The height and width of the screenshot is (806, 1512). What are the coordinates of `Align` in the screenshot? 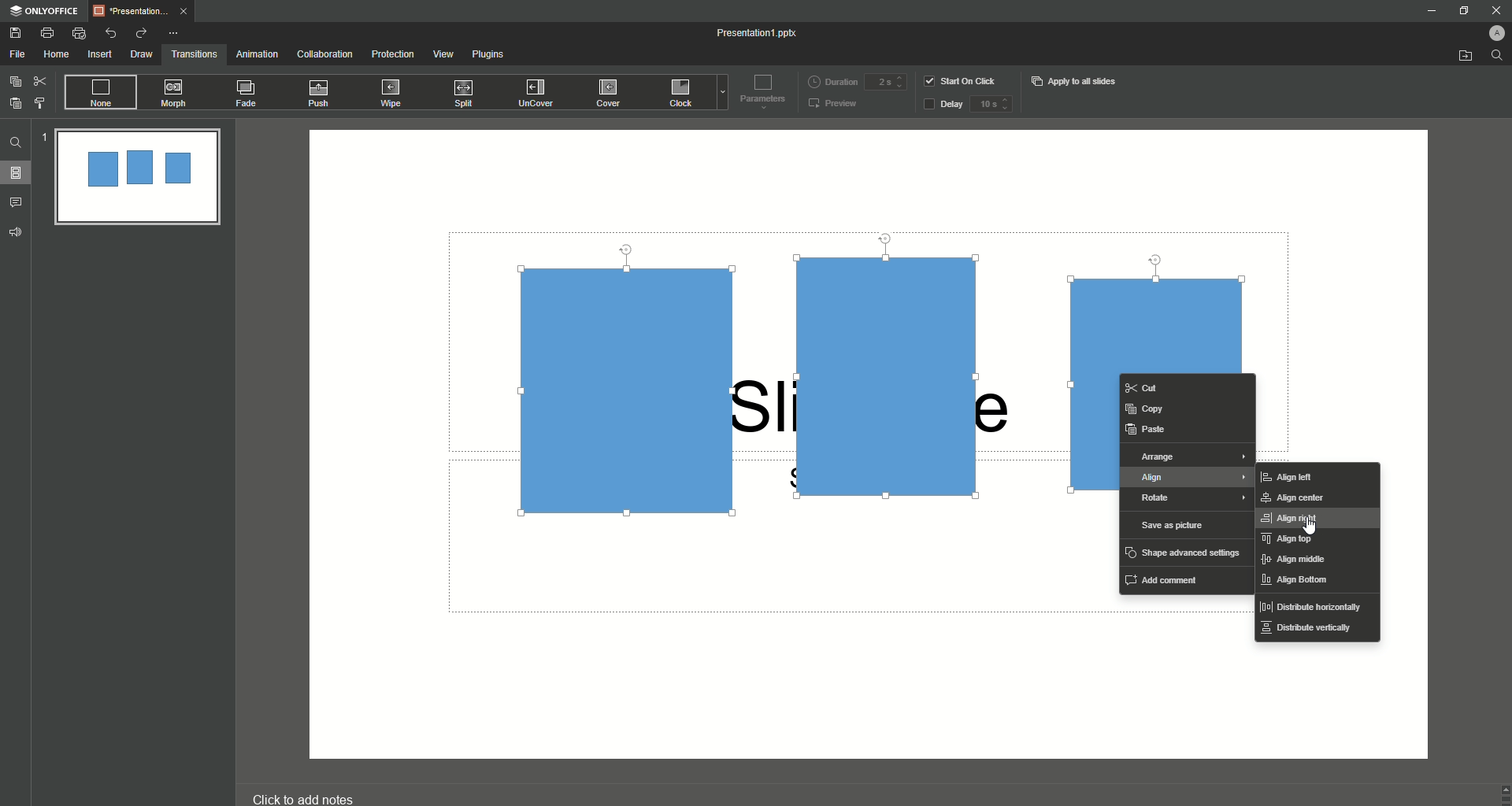 It's located at (1188, 479).